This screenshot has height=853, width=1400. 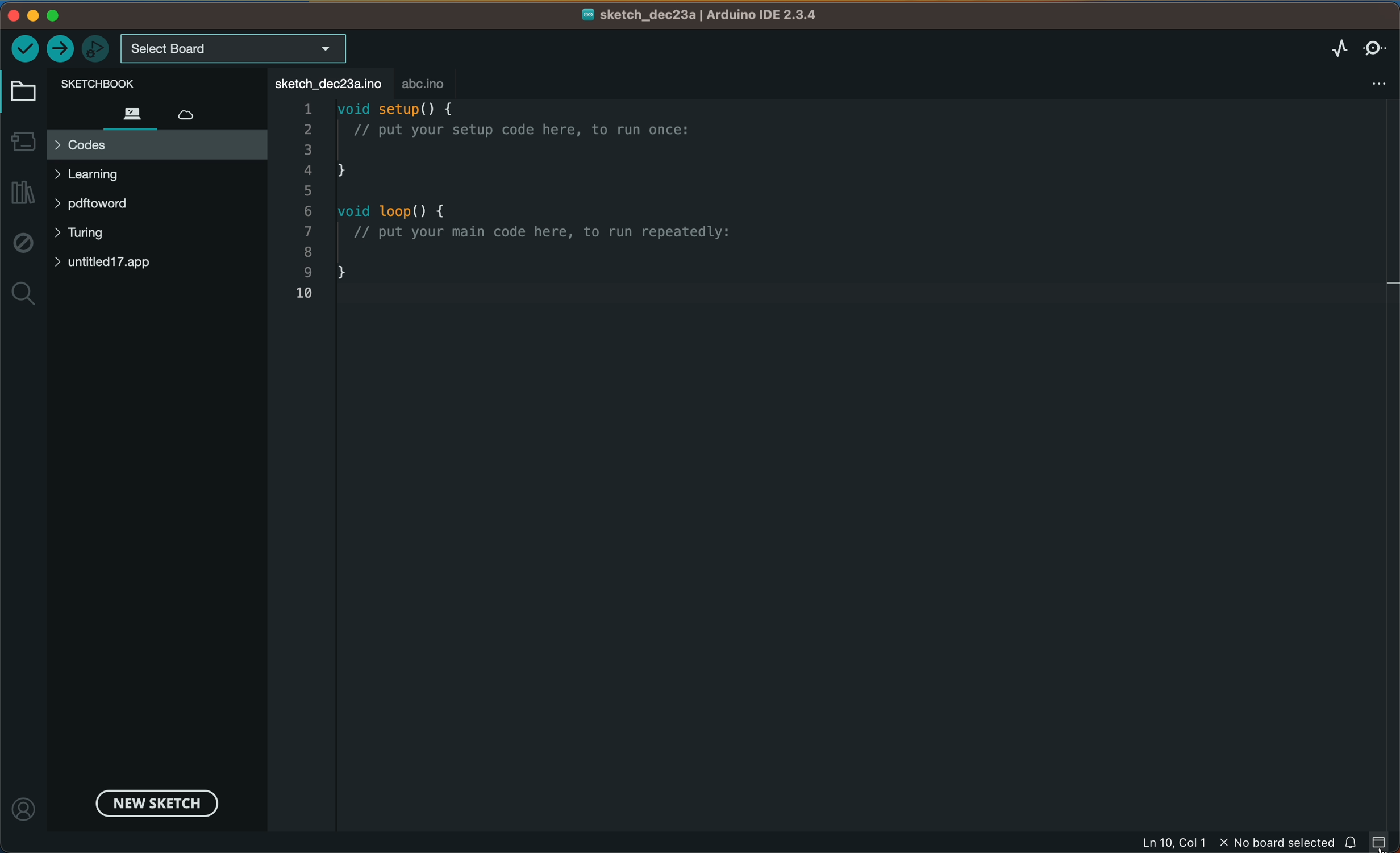 What do you see at coordinates (1335, 47) in the screenshot?
I see `serial plotter` at bounding box center [1335, 47].